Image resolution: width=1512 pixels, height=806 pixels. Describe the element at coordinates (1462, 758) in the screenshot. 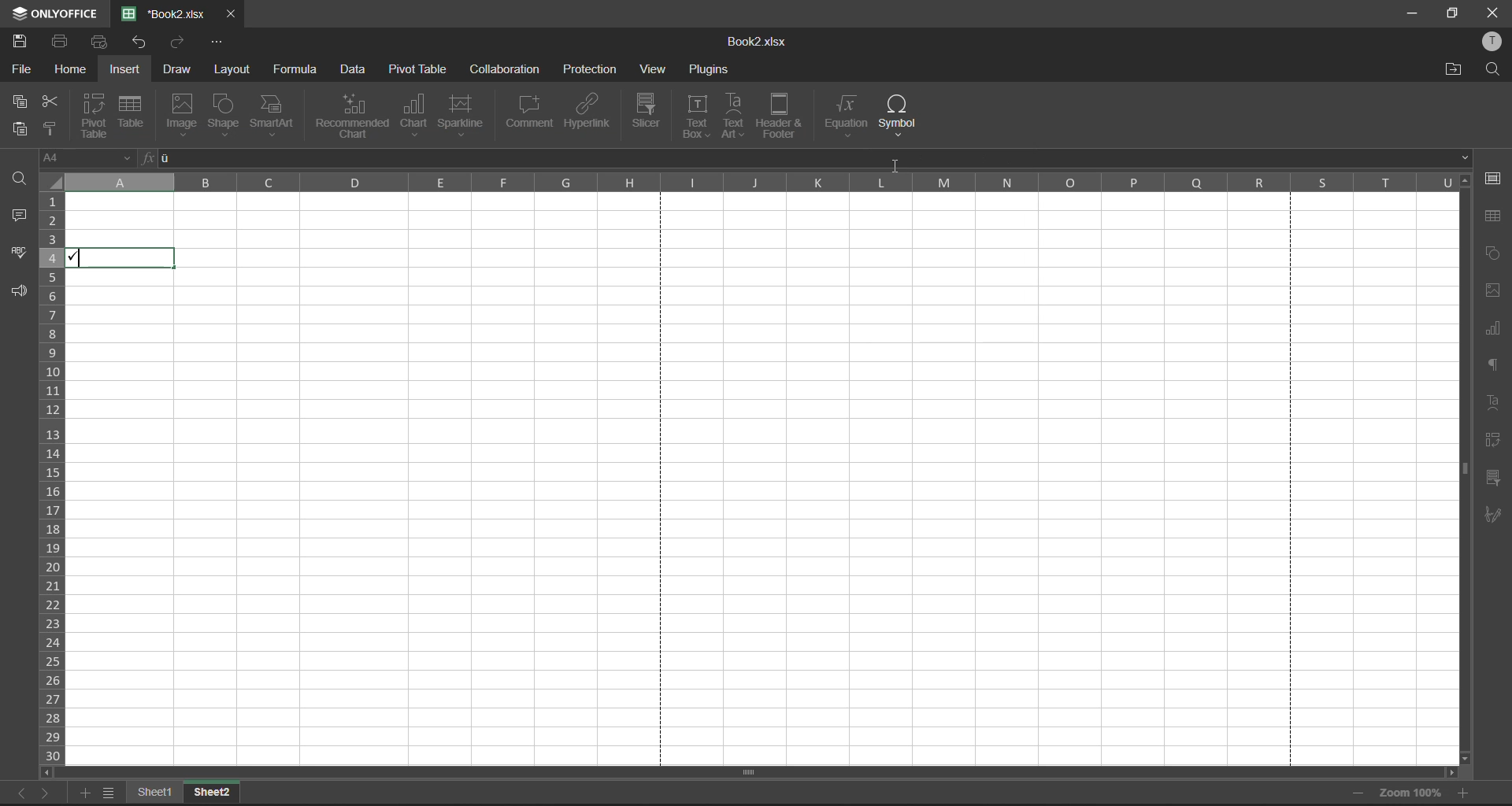

I see `scroll down` at that location.